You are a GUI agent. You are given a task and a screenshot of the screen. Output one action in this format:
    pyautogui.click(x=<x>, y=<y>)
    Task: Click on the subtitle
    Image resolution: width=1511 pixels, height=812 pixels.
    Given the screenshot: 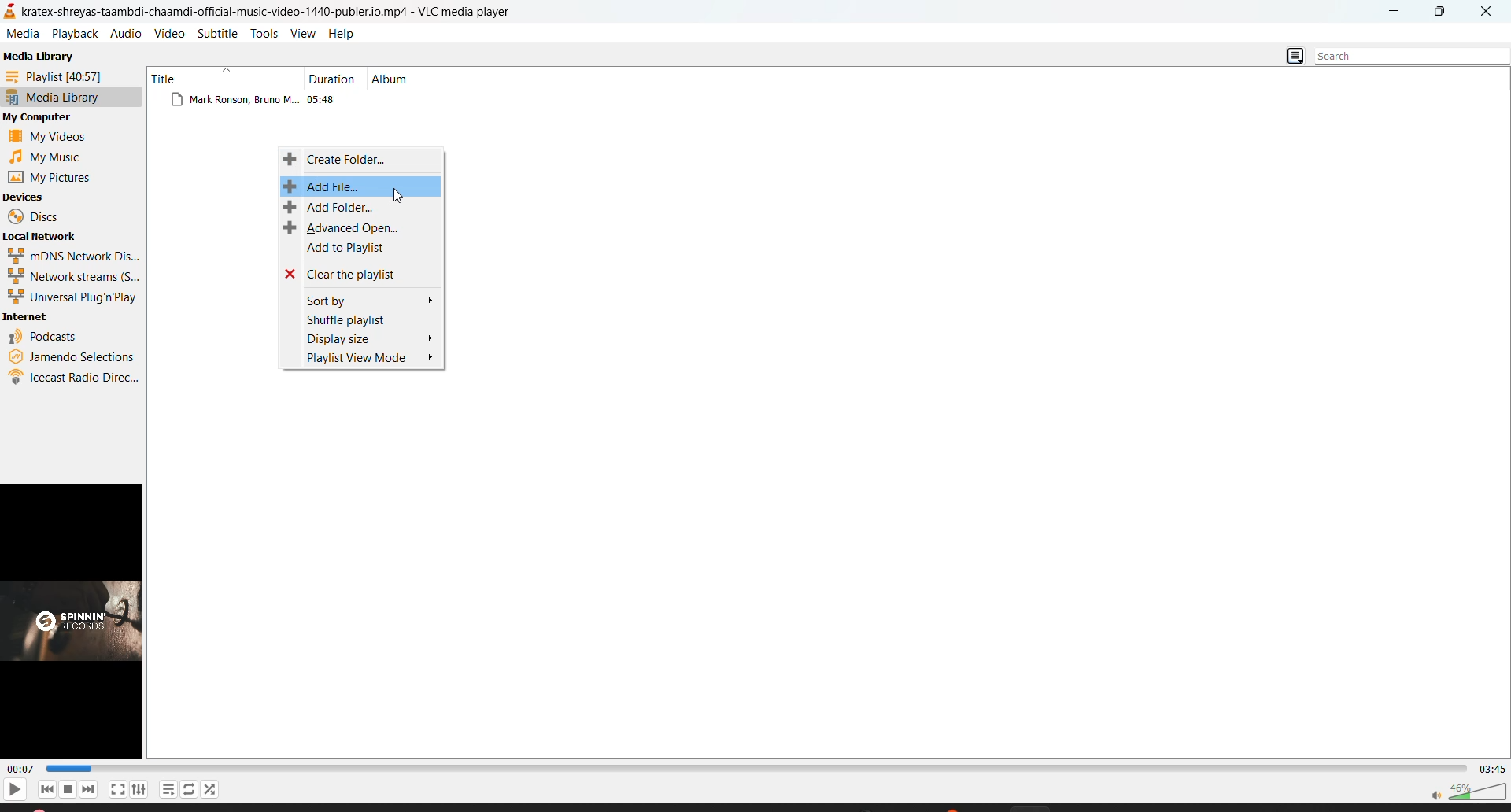 What is the action you would take?
    pyautogui.click(x=220, y=32)
    